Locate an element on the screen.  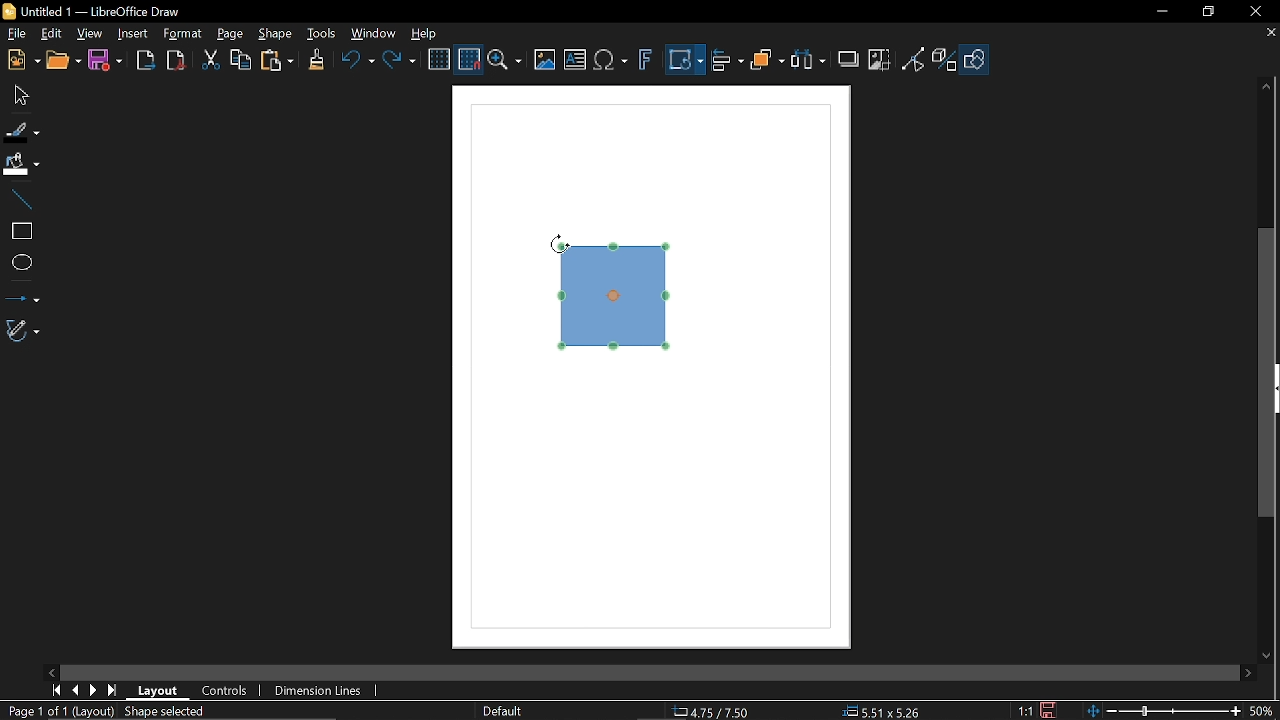
next page is located at coordinates (93, 689).